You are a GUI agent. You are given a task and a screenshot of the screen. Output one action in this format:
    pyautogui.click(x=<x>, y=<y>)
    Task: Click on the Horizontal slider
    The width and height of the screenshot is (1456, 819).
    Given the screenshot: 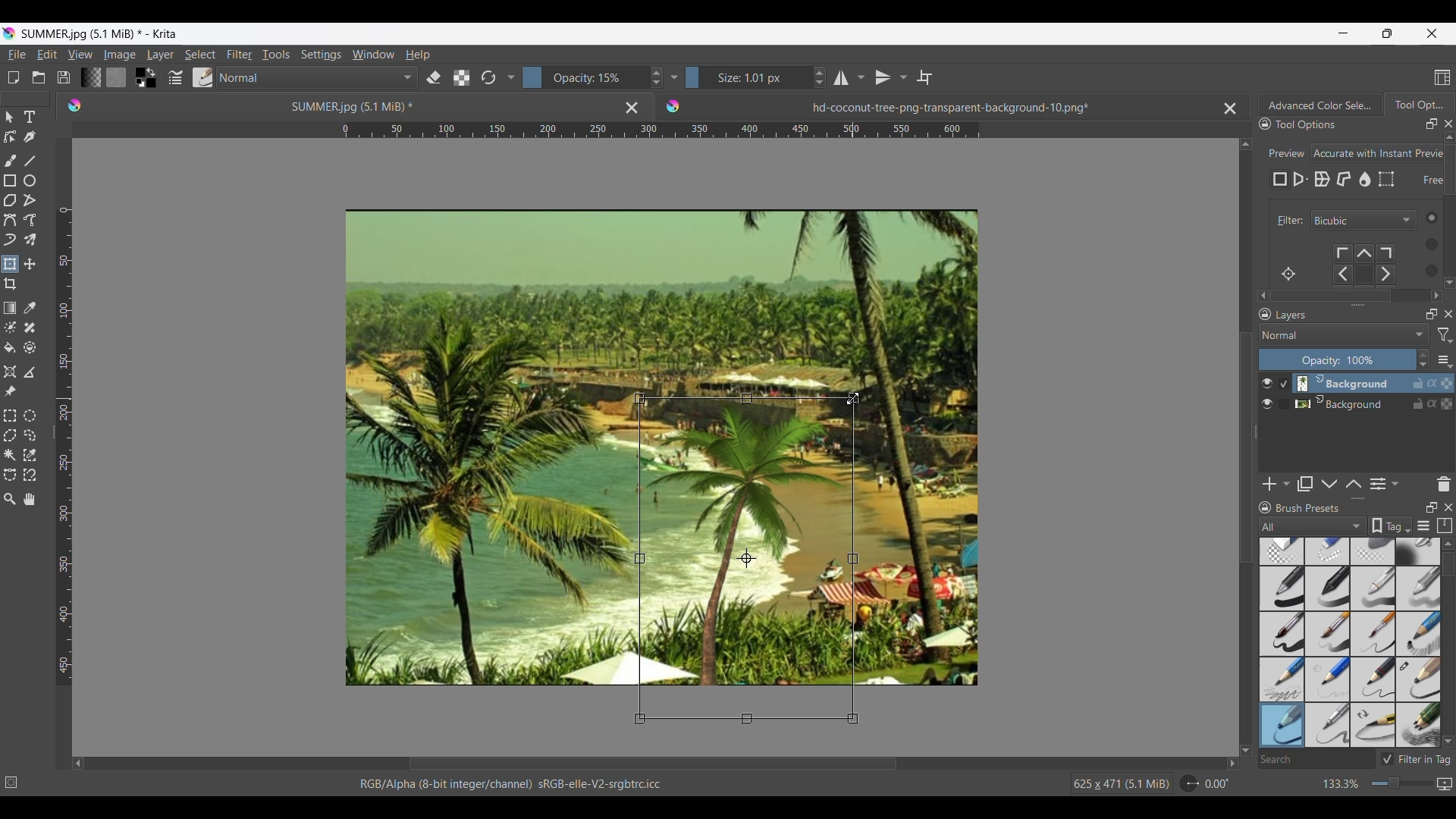 What is the action you would take?
    pyautogui.click(x=653, y=764)
    